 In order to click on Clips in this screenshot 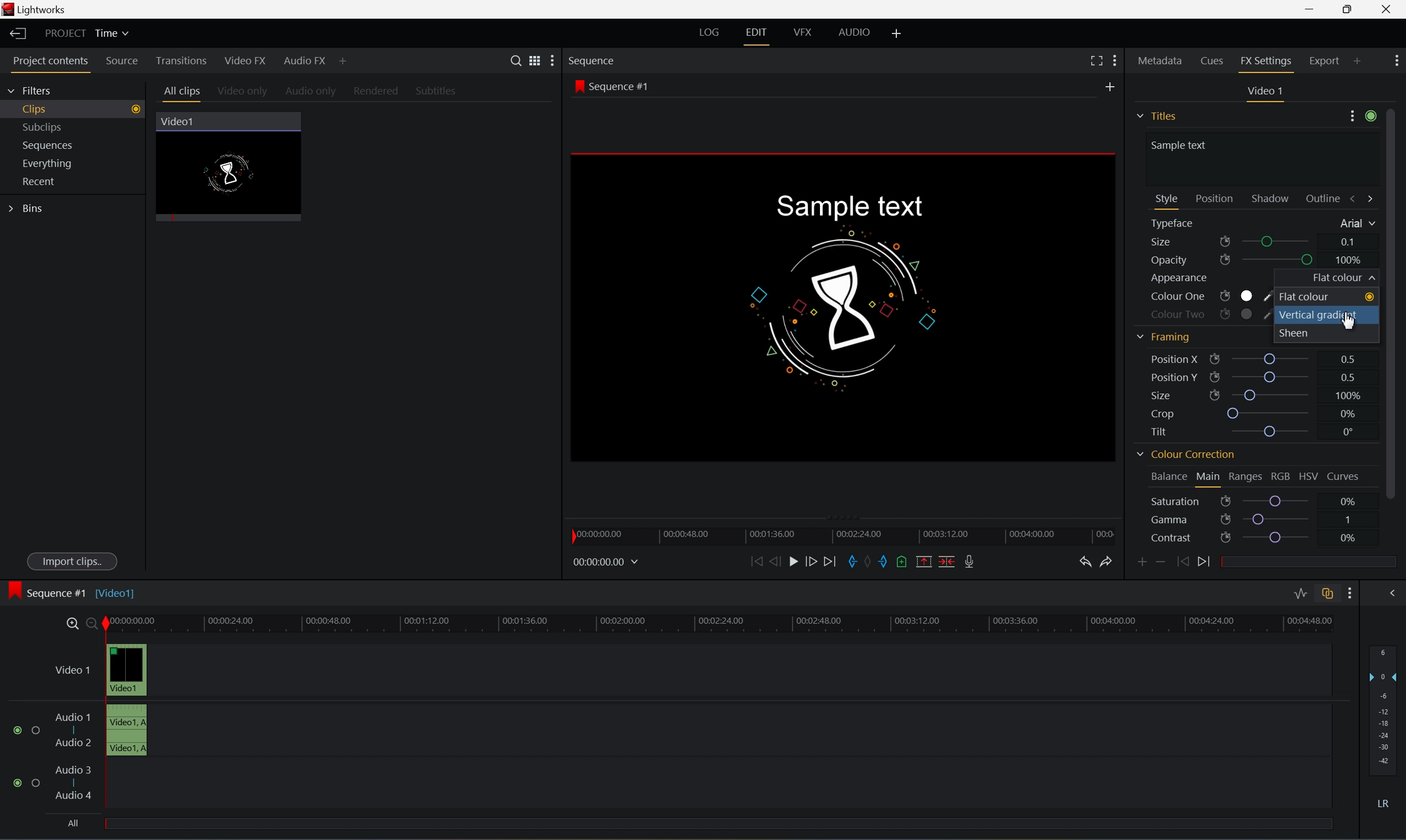, I will do `click(79, 108)`.